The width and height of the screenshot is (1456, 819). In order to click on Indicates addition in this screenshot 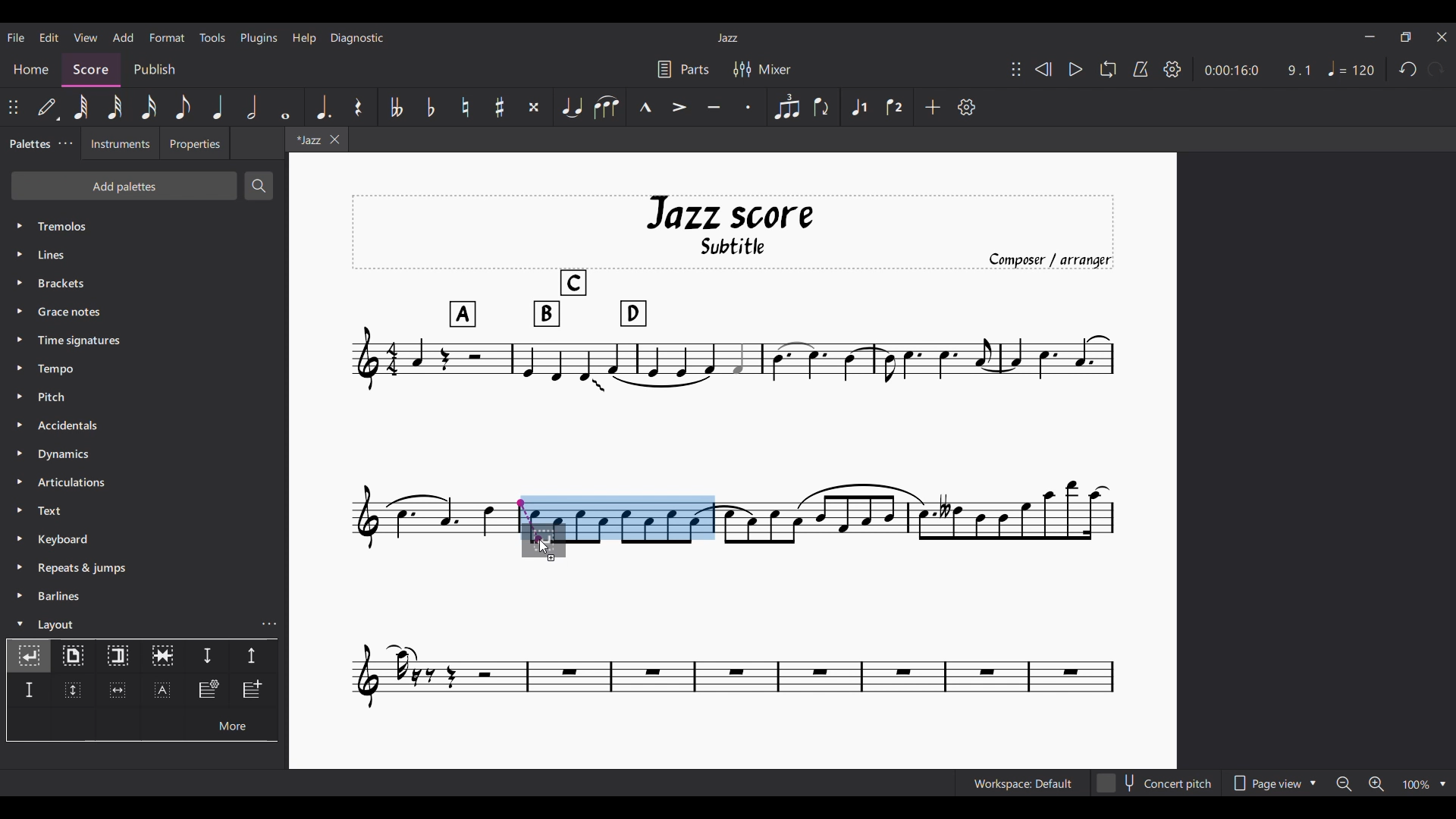, I will do `click(551, 557)`.